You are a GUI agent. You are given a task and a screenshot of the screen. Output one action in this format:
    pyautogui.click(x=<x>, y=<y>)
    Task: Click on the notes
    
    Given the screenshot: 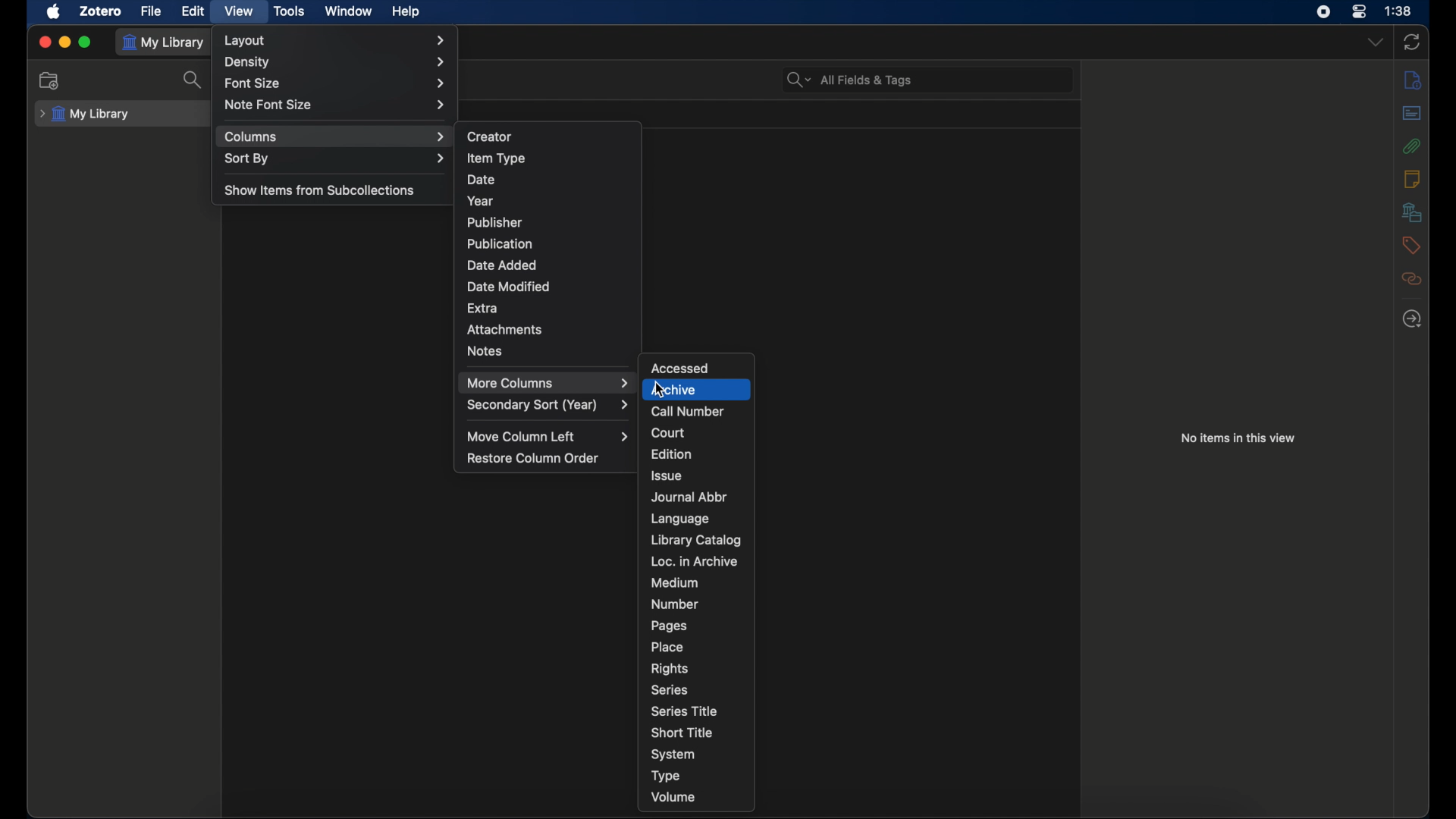 What is the action you would take?
    pyautogui.click(x=1411, y=179)
    